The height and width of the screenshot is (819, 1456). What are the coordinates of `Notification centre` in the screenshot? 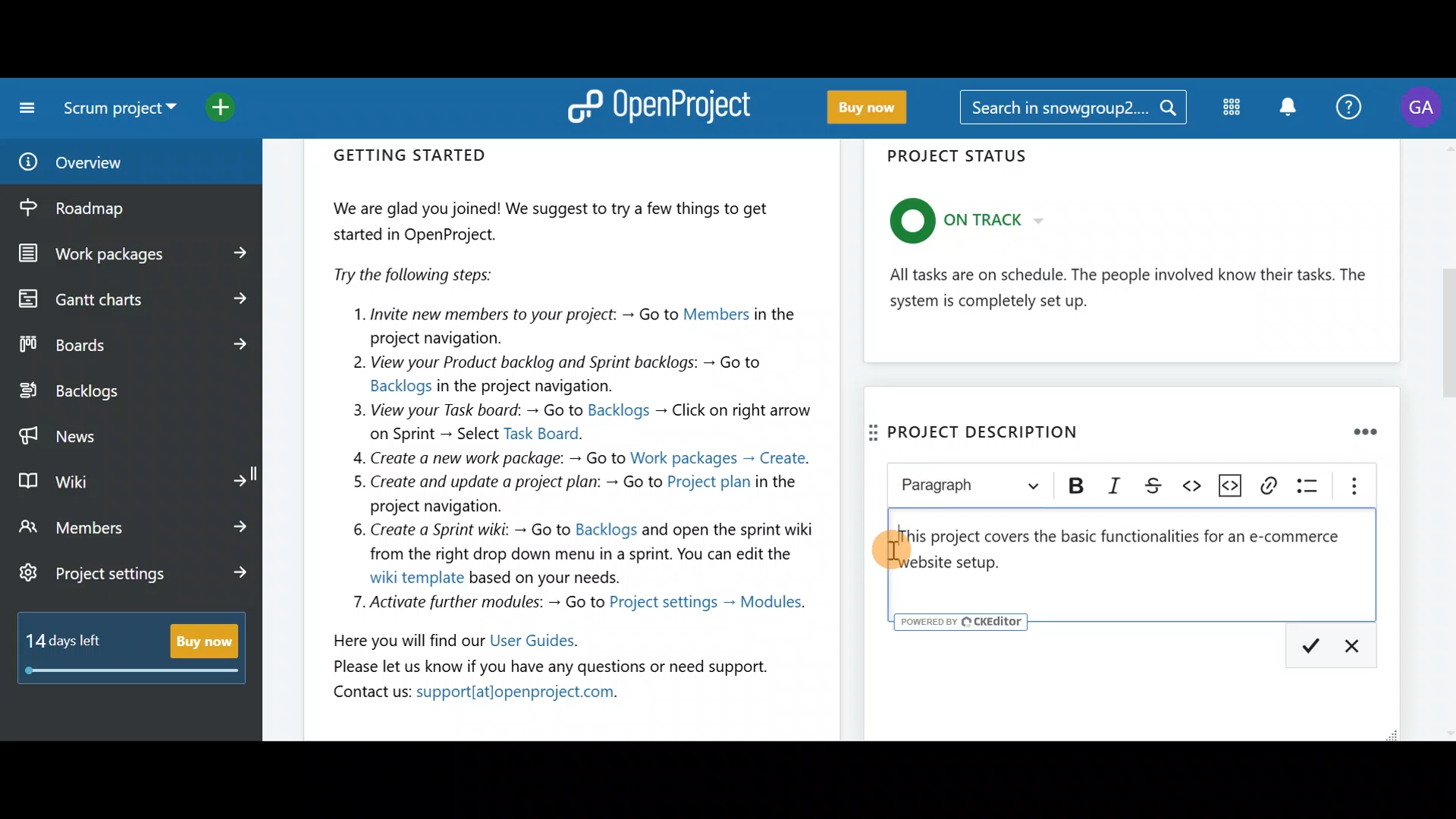 It's located at (1284, 106).